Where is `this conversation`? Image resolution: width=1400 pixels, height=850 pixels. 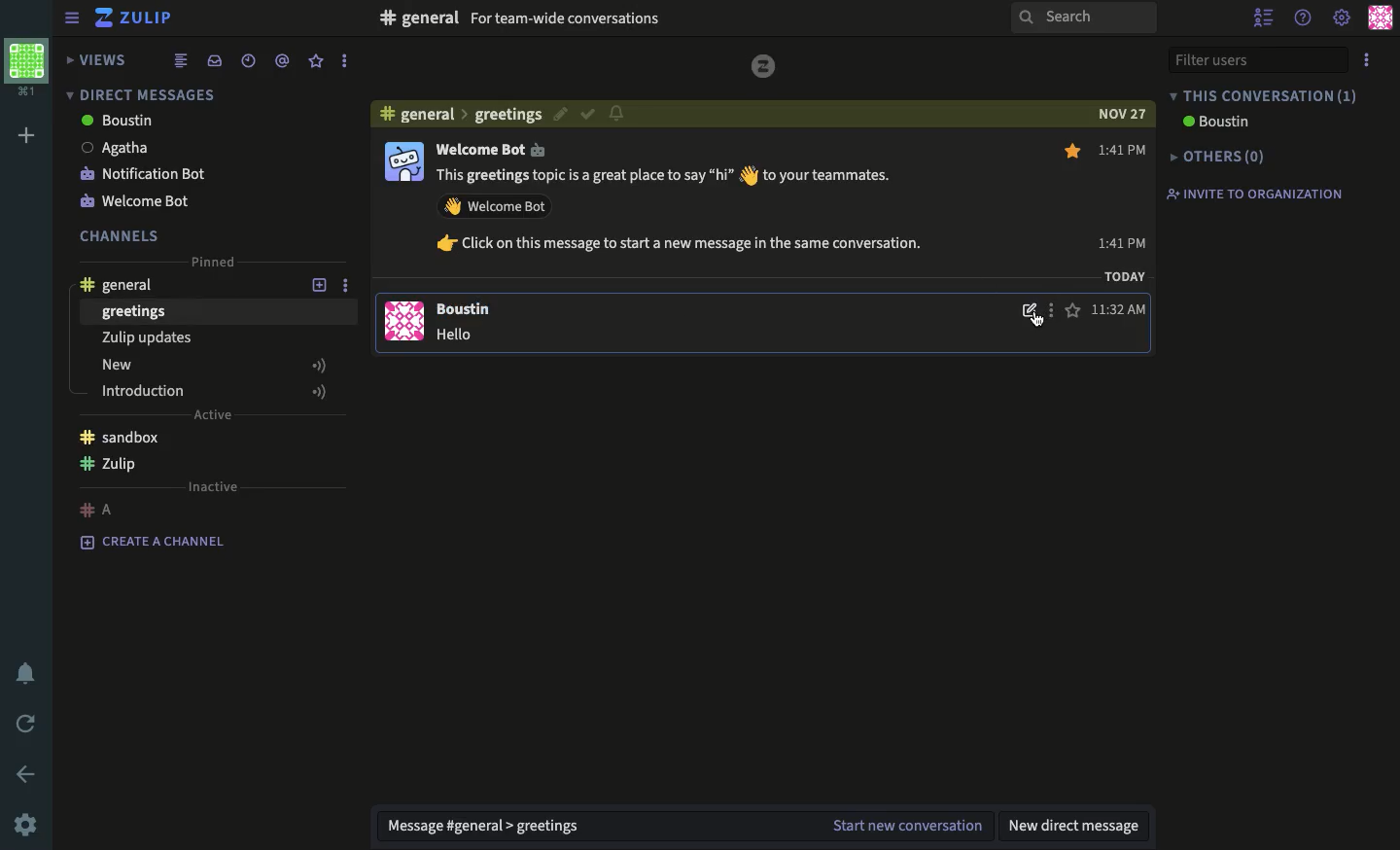
this conversation is located at coordinates (1263, 95).